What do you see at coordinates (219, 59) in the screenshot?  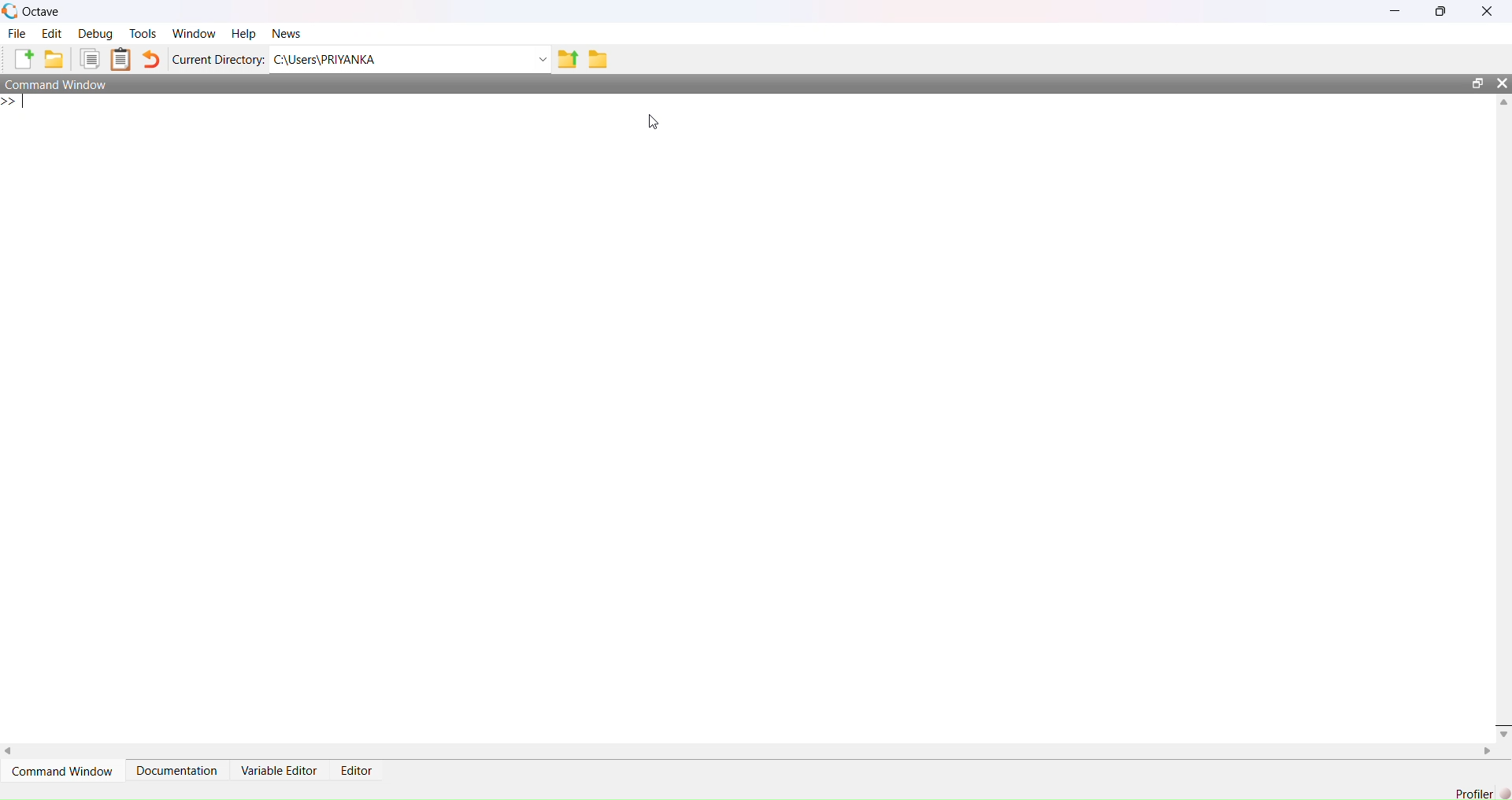 I see `Current Directory` at bounding box center [219, 59].